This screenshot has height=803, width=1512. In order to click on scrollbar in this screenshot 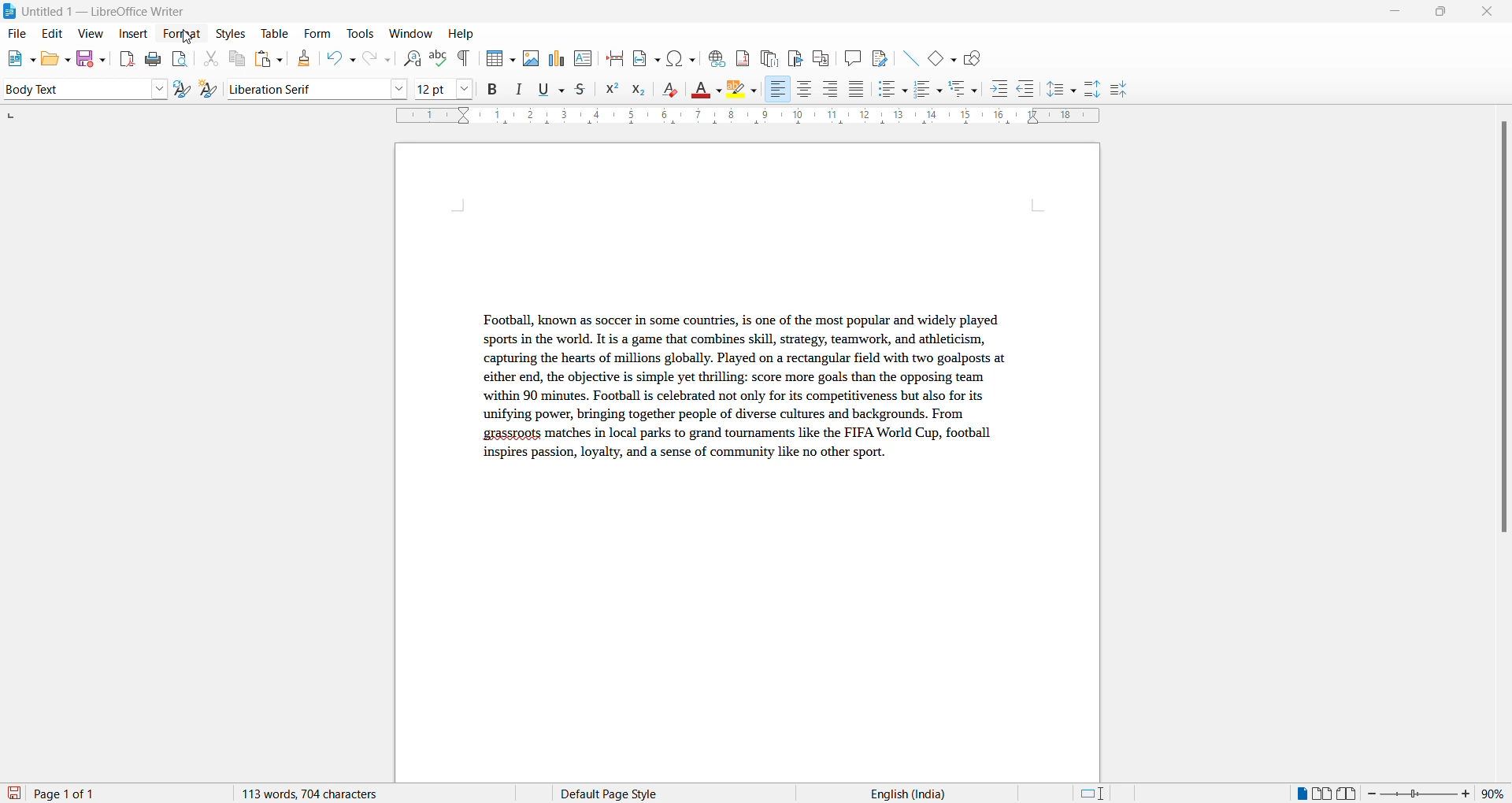, I will do `click(1503, 335)`.